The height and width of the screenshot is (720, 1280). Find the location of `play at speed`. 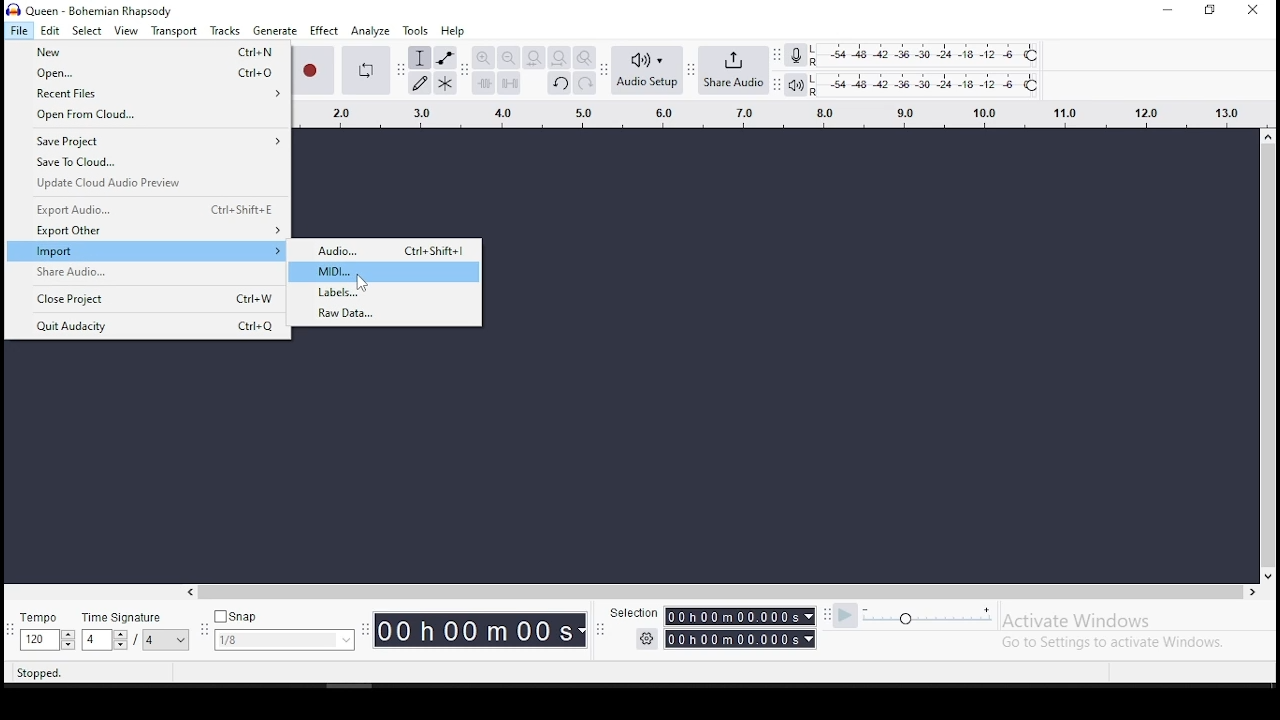

play at speed is located at coordinates (847, 616).